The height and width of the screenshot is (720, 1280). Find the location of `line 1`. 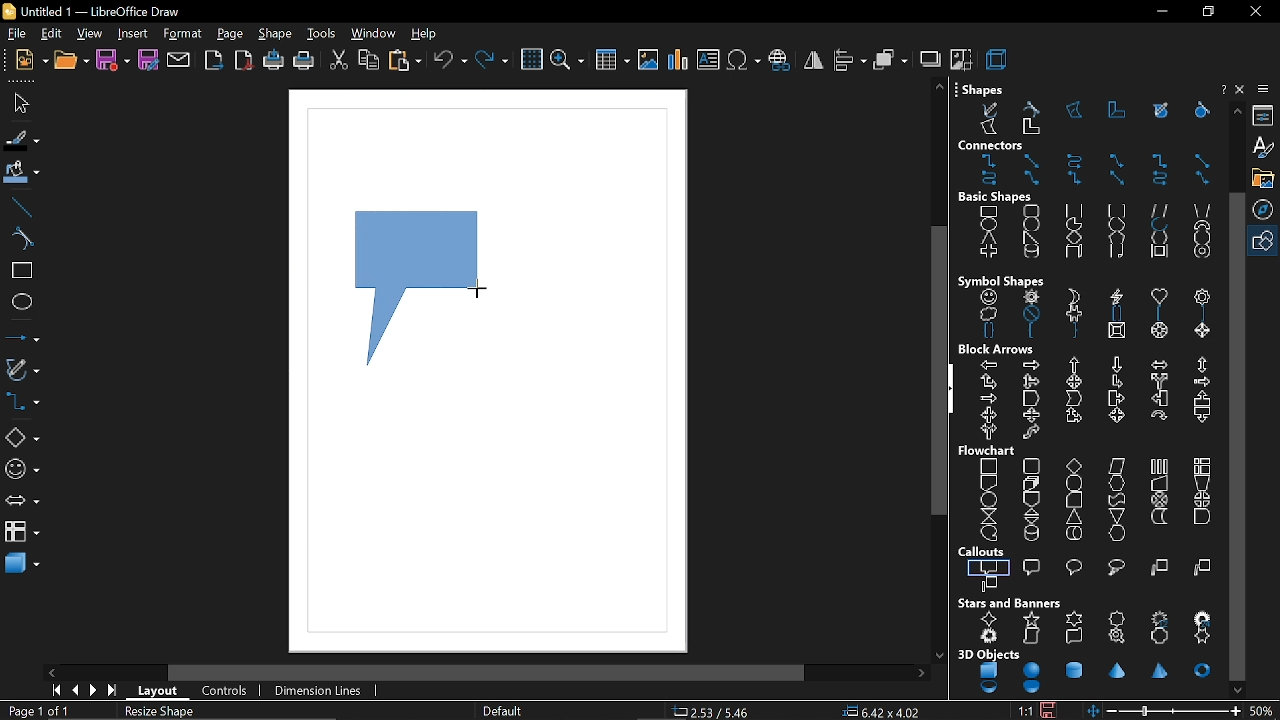

line 1 is located at coordinates (1158, 568).